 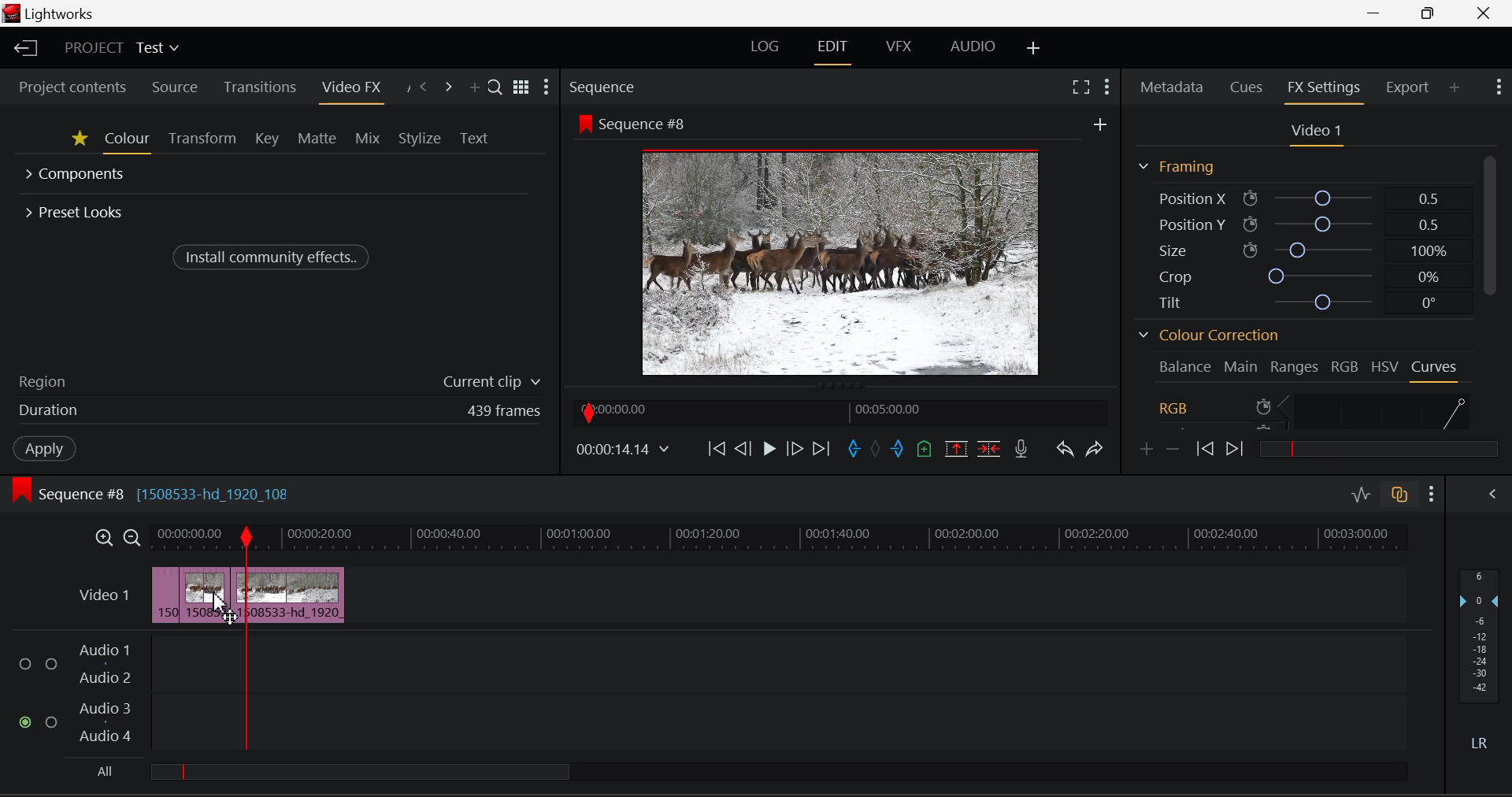 I want to click on Go Forward, so click(x=797, y=447).